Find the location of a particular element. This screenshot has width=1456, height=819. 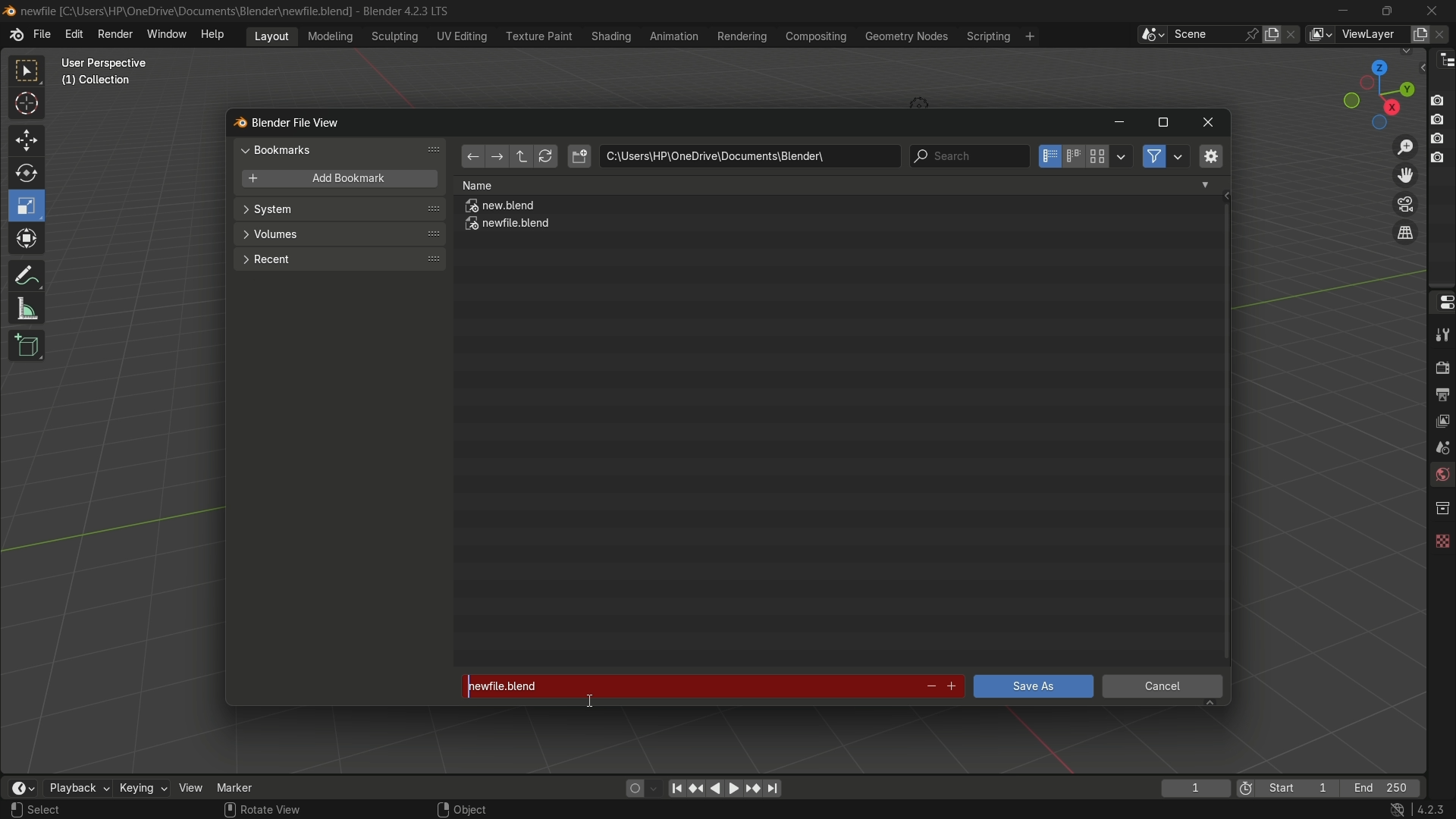

new scene is located at coordinates (1275, 34).